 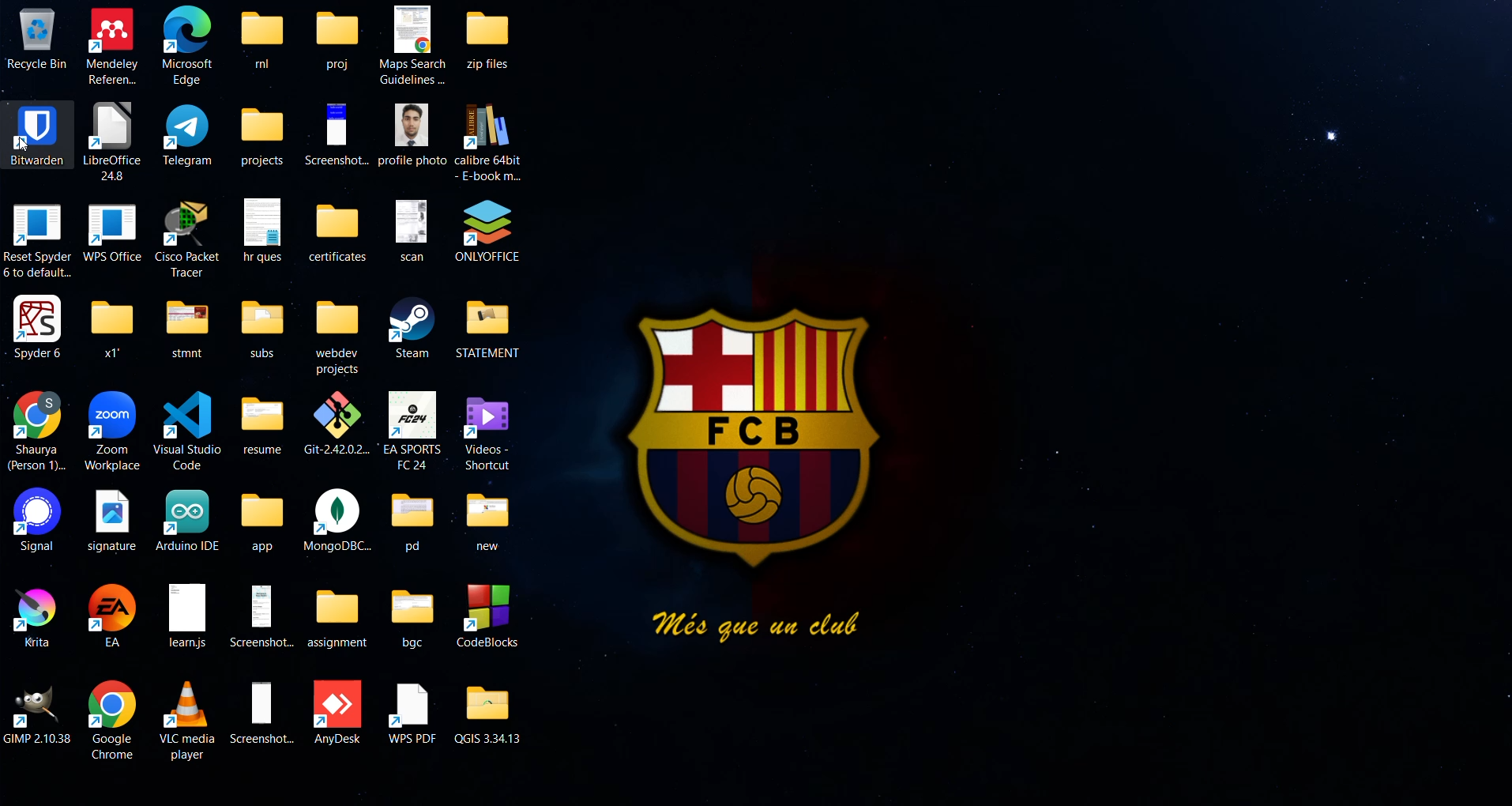 I want to click on Maps Search Guidelines ..., so click(x=415, y=43).